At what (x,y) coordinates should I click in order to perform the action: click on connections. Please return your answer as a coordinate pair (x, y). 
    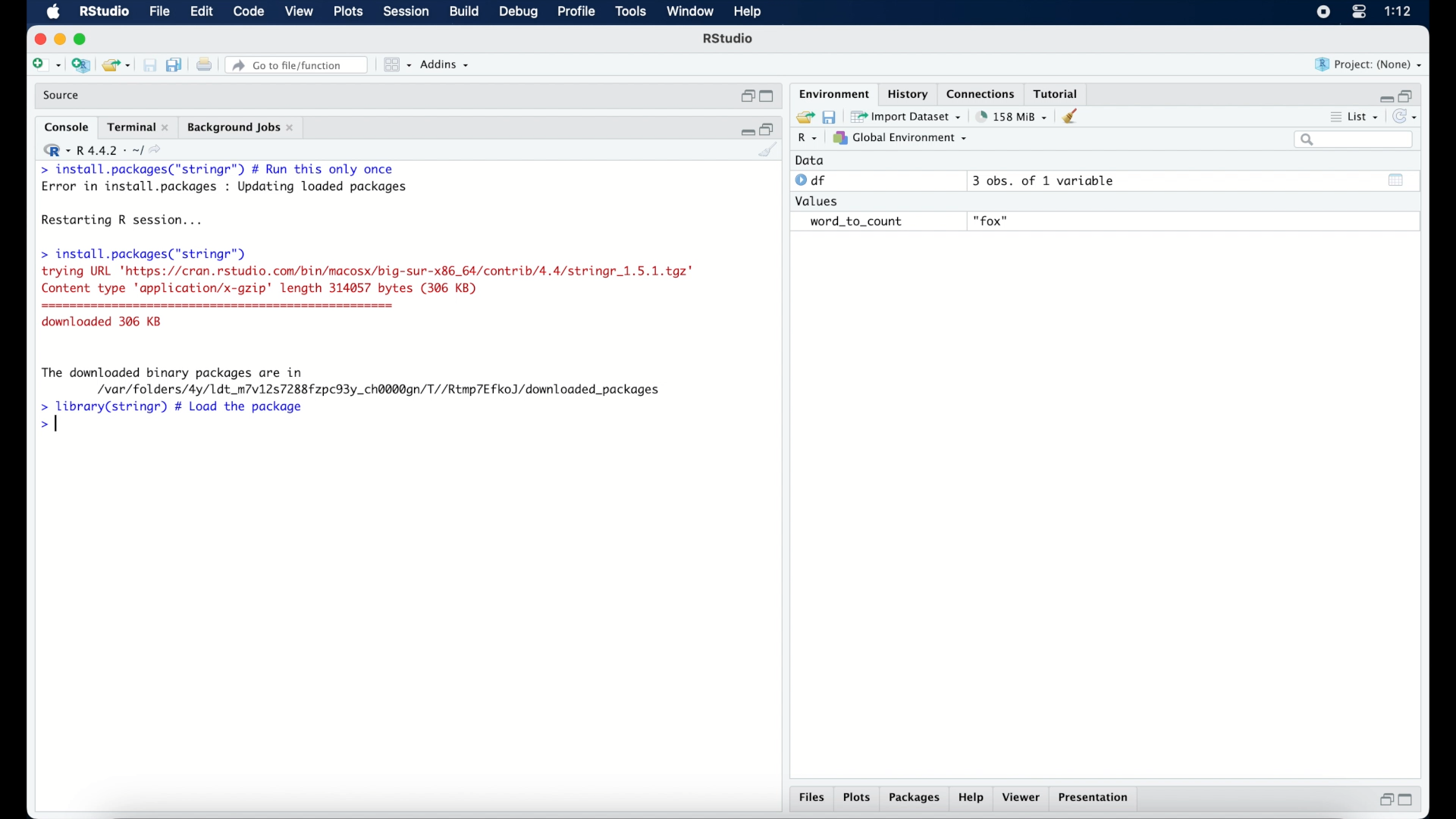
    Looking at the image, I should click on (983, 93).